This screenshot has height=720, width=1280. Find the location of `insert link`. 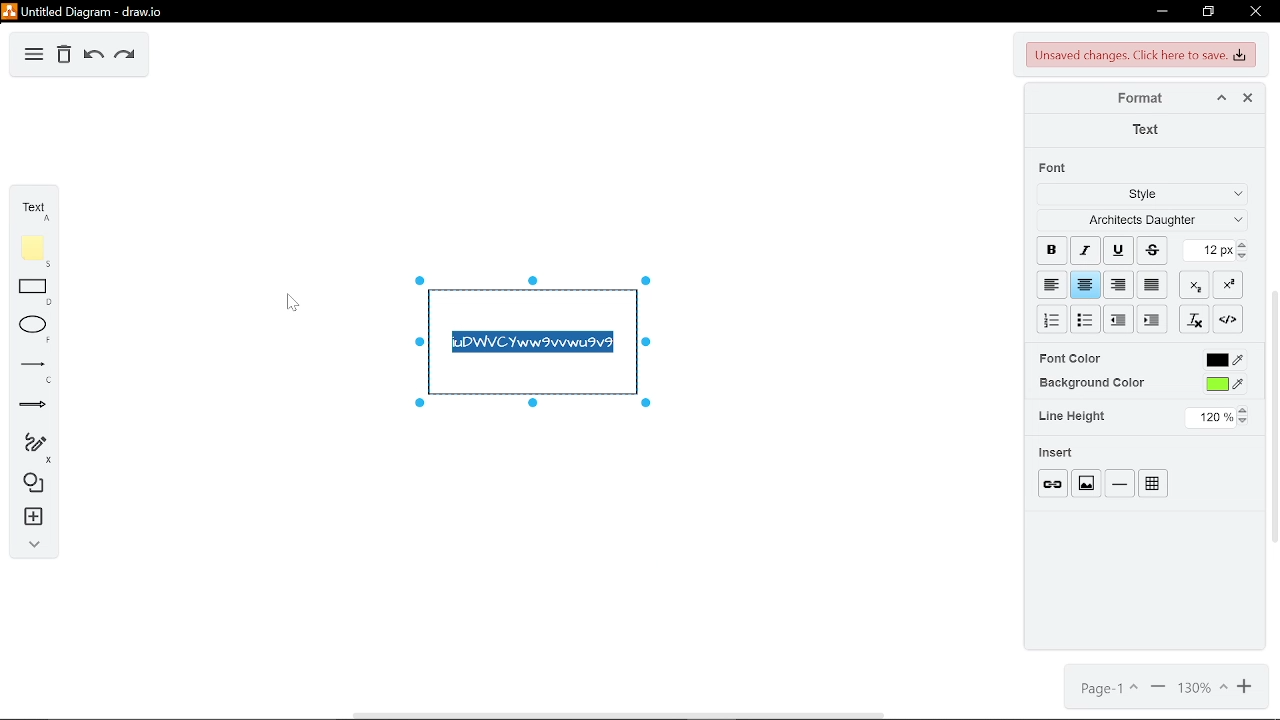

insert link is located at coordinates (1053, 483).